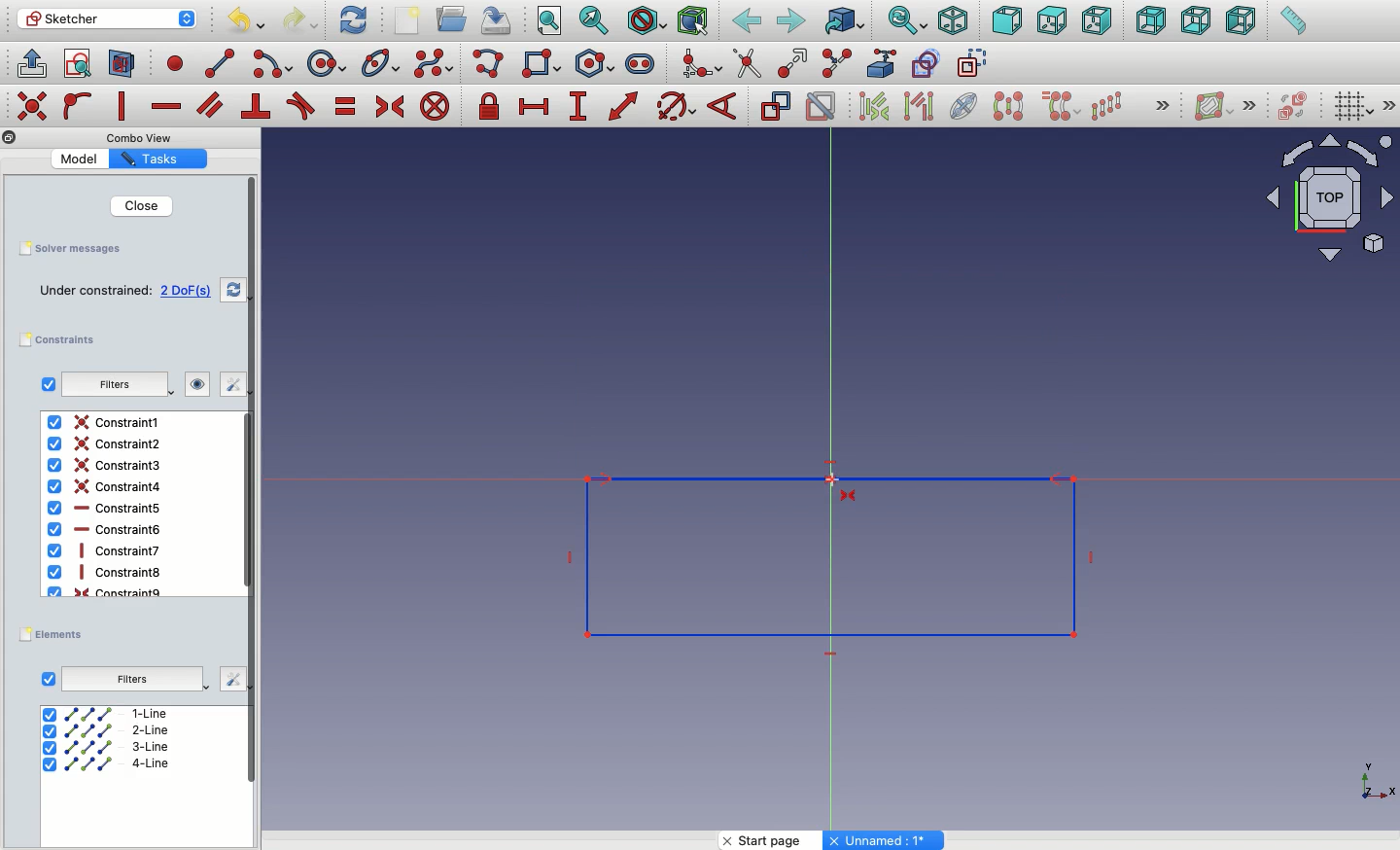 This screenshot has height=850, width=1400. What do you see at coordinates (791, 20) in the screenshot?
I see `Forward` at bounding box center [791, 20].